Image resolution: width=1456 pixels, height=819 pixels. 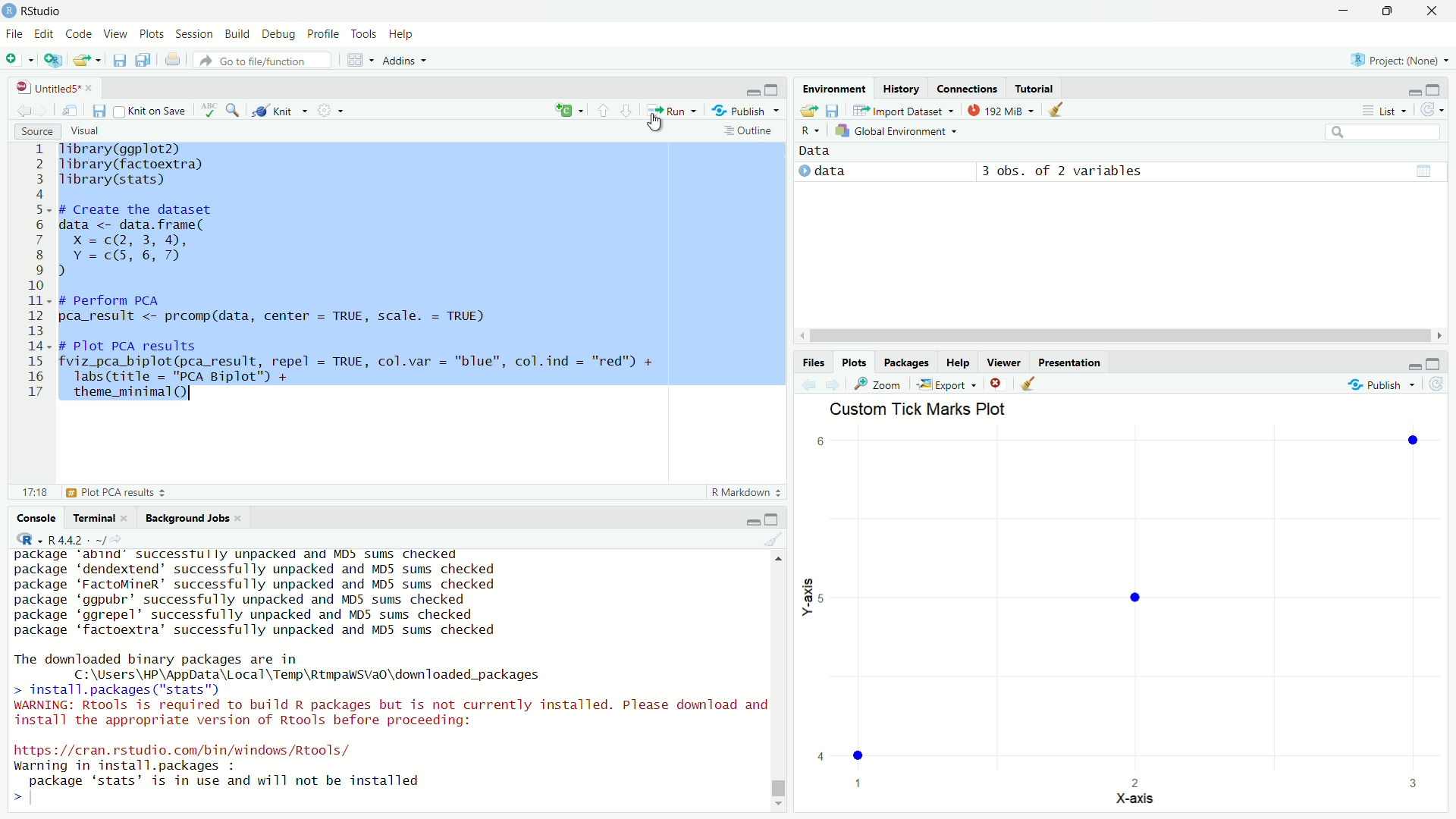 What do you see at coordinates (21, 111) in the screenshot?
I see `go back to previous source` at bounding box center [21, 111].